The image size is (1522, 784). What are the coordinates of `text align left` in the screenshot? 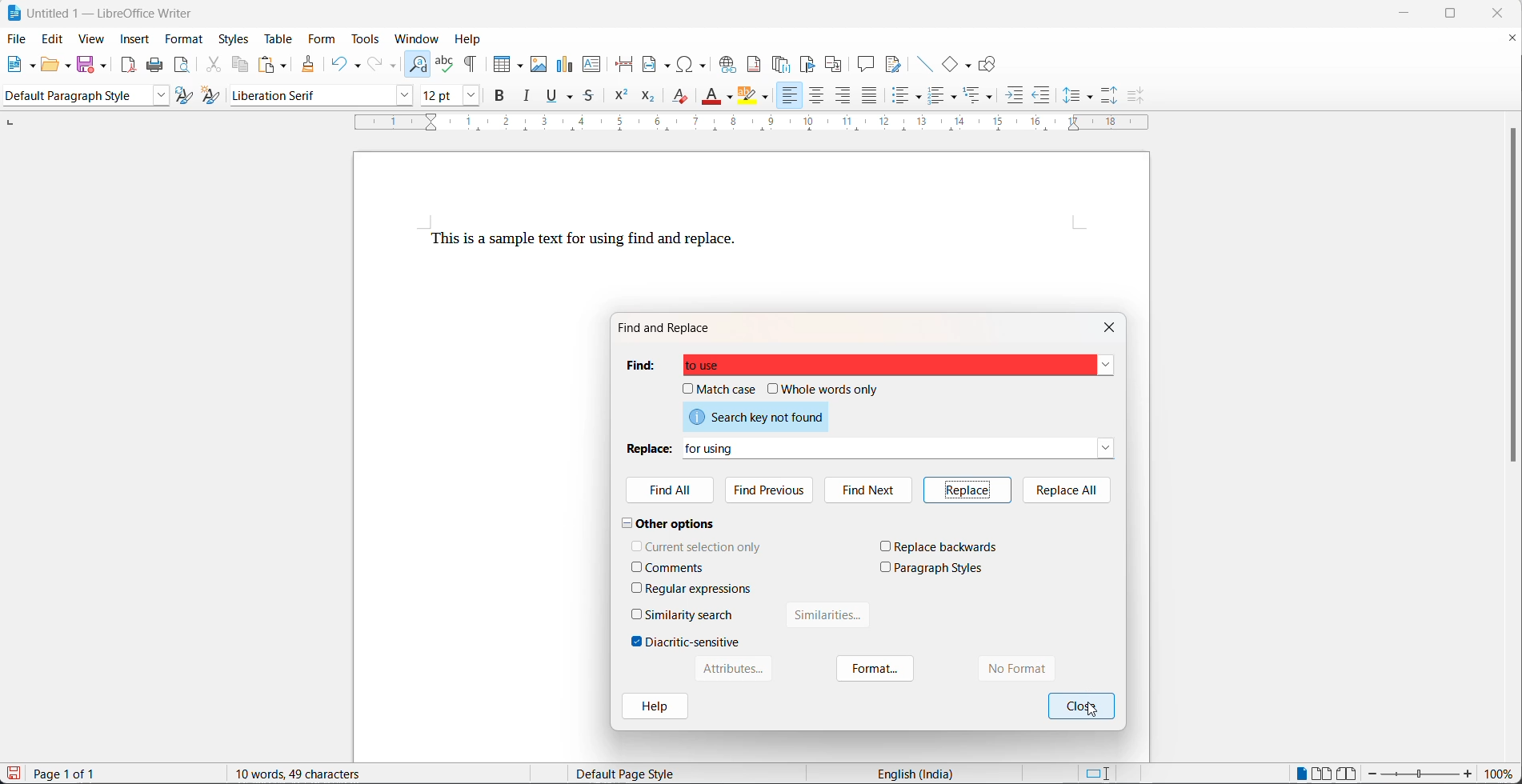 It's located at (788, 96).